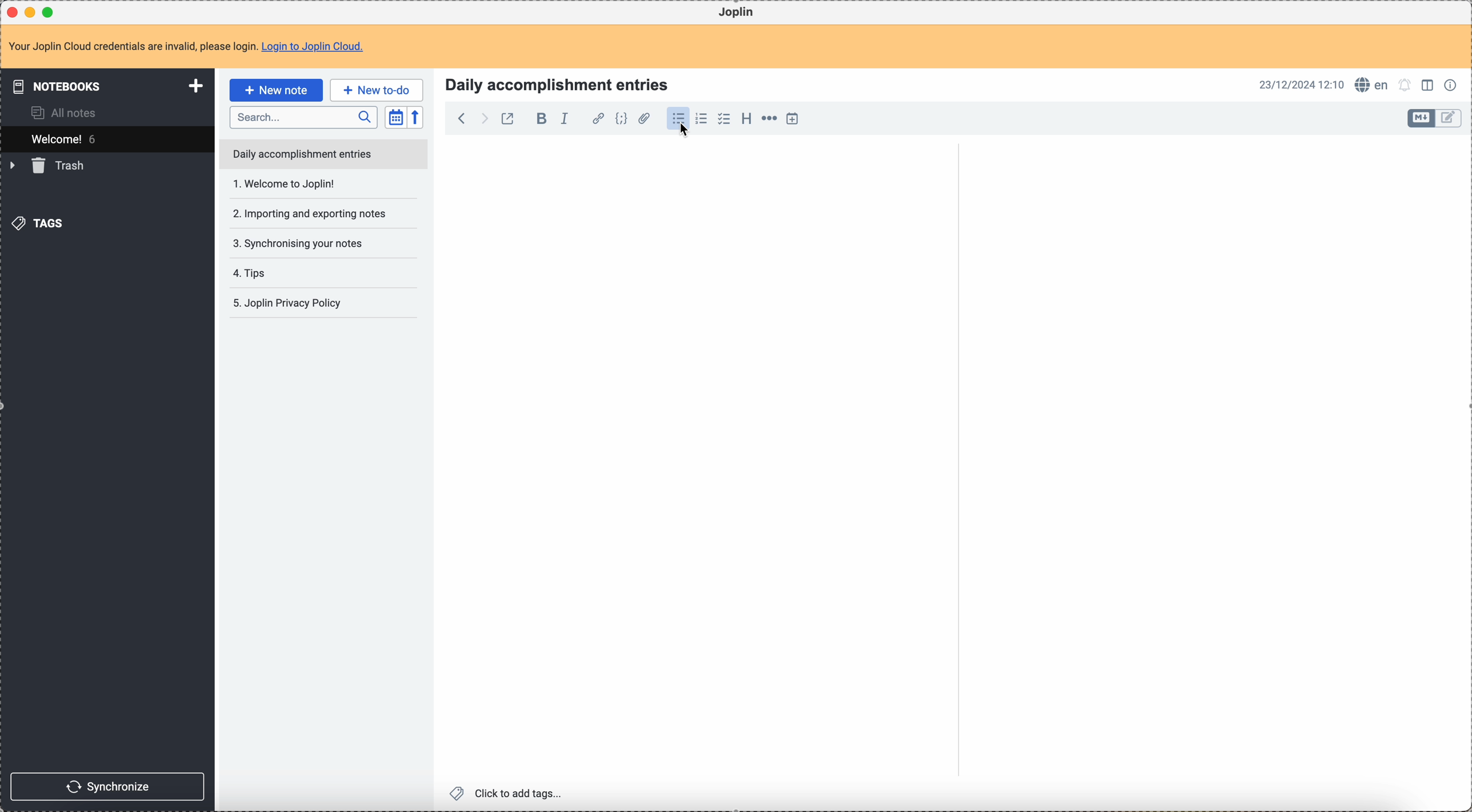 Image resolution: width=1472 pixels, height=812 pixels. What do you see at coordinates (1372, 85) in the screenshot?
I see `spell checker` at bounding box center [1372, 85].